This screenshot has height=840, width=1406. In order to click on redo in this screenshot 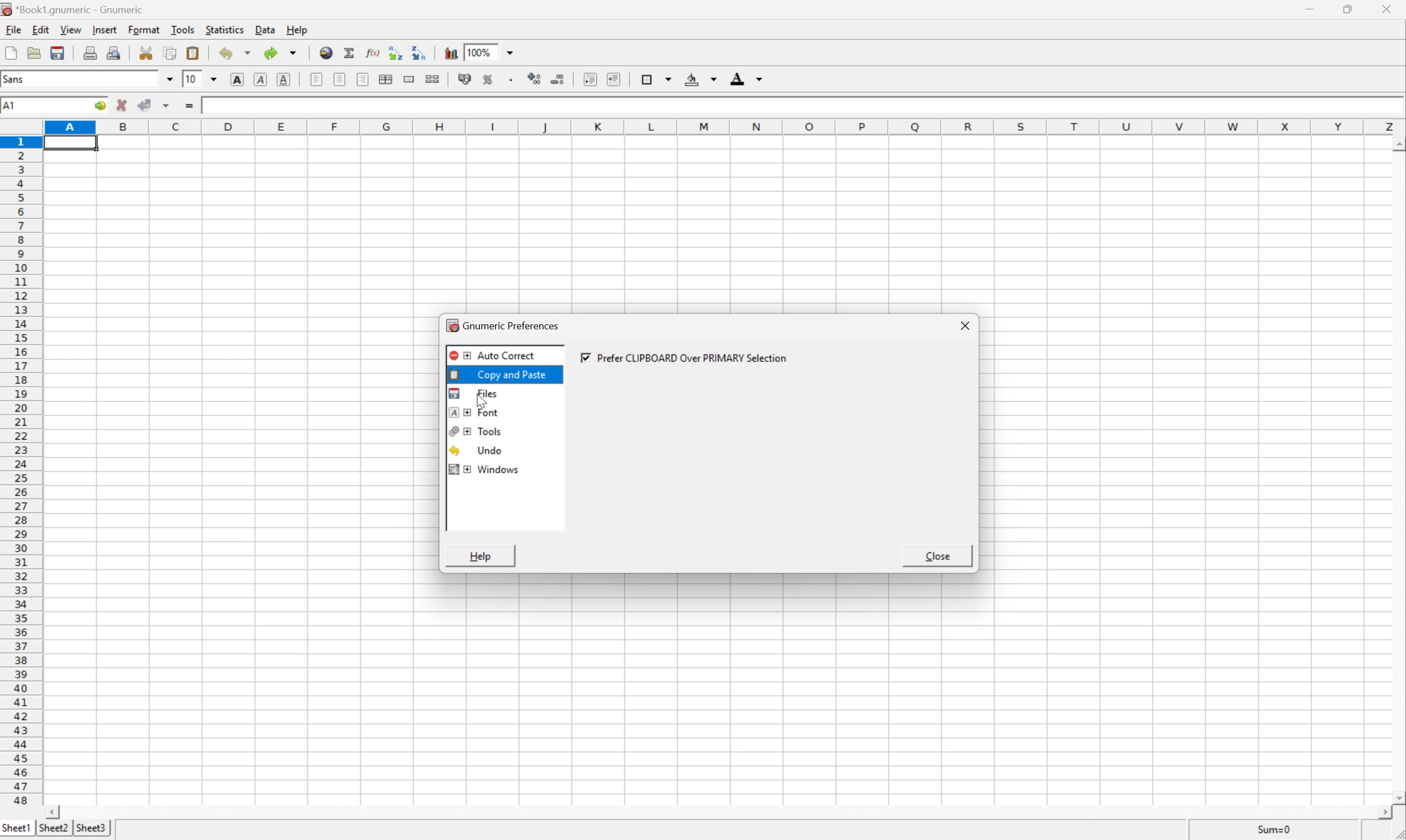, I will do `click(282, 53)`.